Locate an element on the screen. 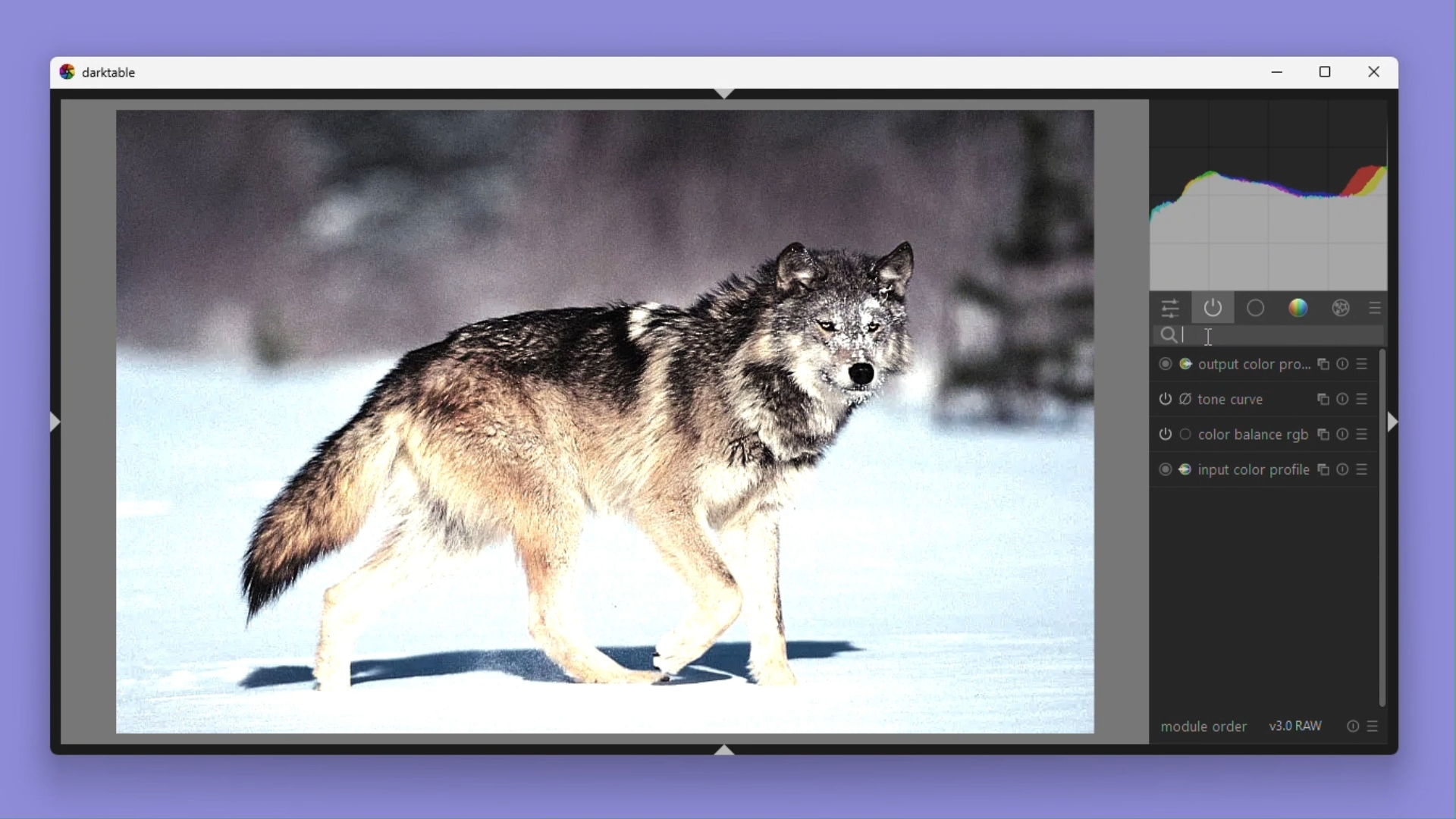  v 3.0 RAW is located at coordinates (1298, 726).